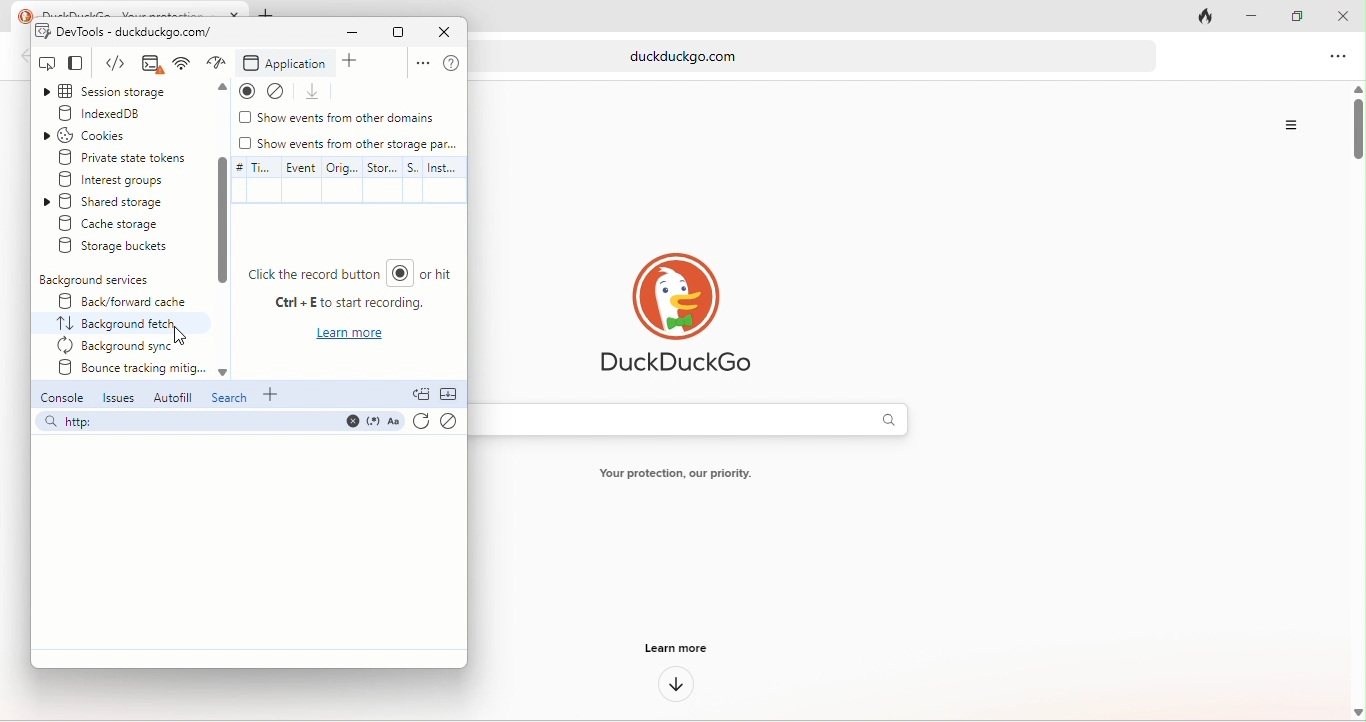 The height and width of the screenshot is (722, 1366). What do you see at coordinates (122, 114) in the screenshot?
I see `indexed` at bounding box center [122, 114].